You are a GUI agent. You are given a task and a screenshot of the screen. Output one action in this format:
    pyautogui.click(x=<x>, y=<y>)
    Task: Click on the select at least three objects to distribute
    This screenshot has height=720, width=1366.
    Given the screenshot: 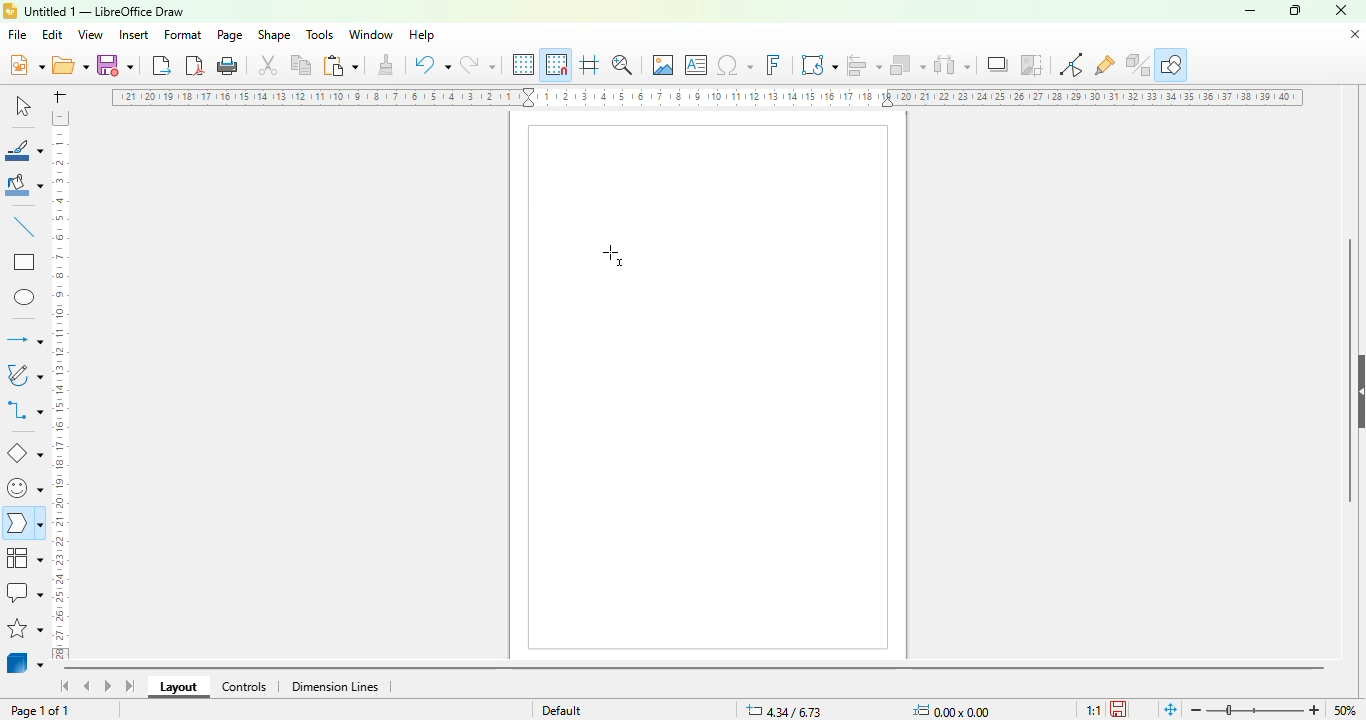 What is the action you would take?
    pyautogui.click(x=952, y=64)
    